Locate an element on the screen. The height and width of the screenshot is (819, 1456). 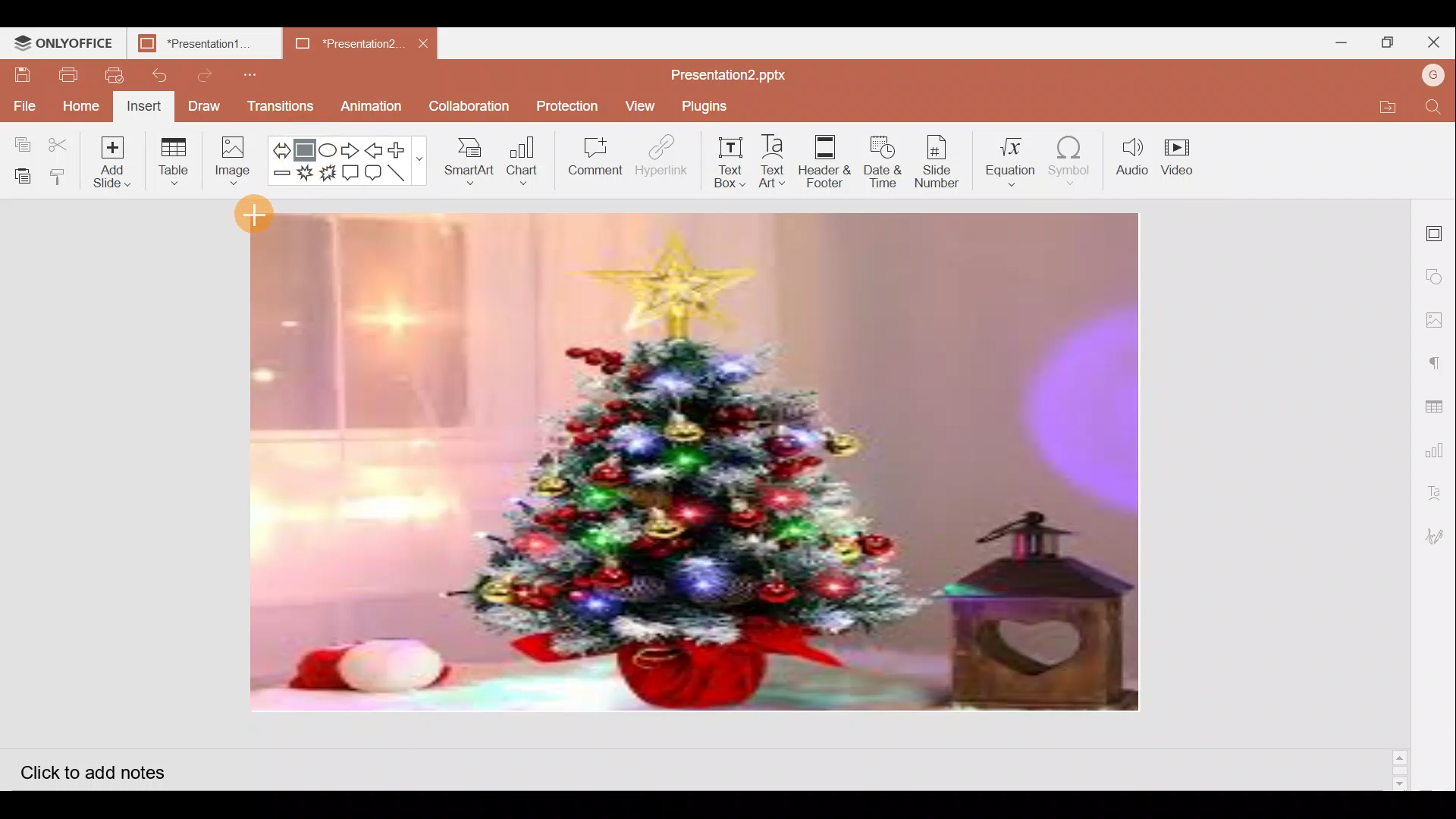
Line is located at coordinates (402, 175).